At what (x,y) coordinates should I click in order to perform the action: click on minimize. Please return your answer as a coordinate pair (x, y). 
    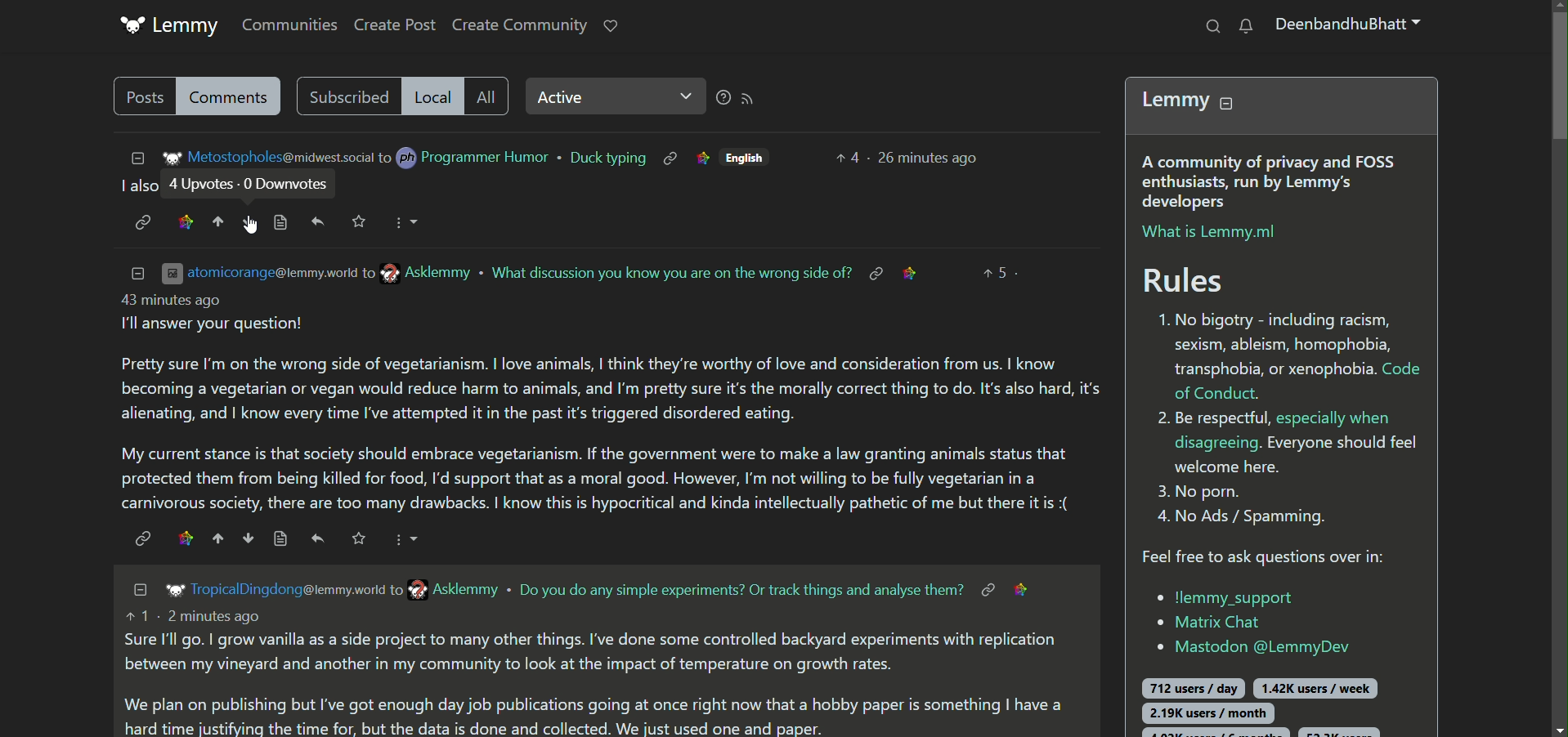
    Looking at the image, I should click on (132, 157).